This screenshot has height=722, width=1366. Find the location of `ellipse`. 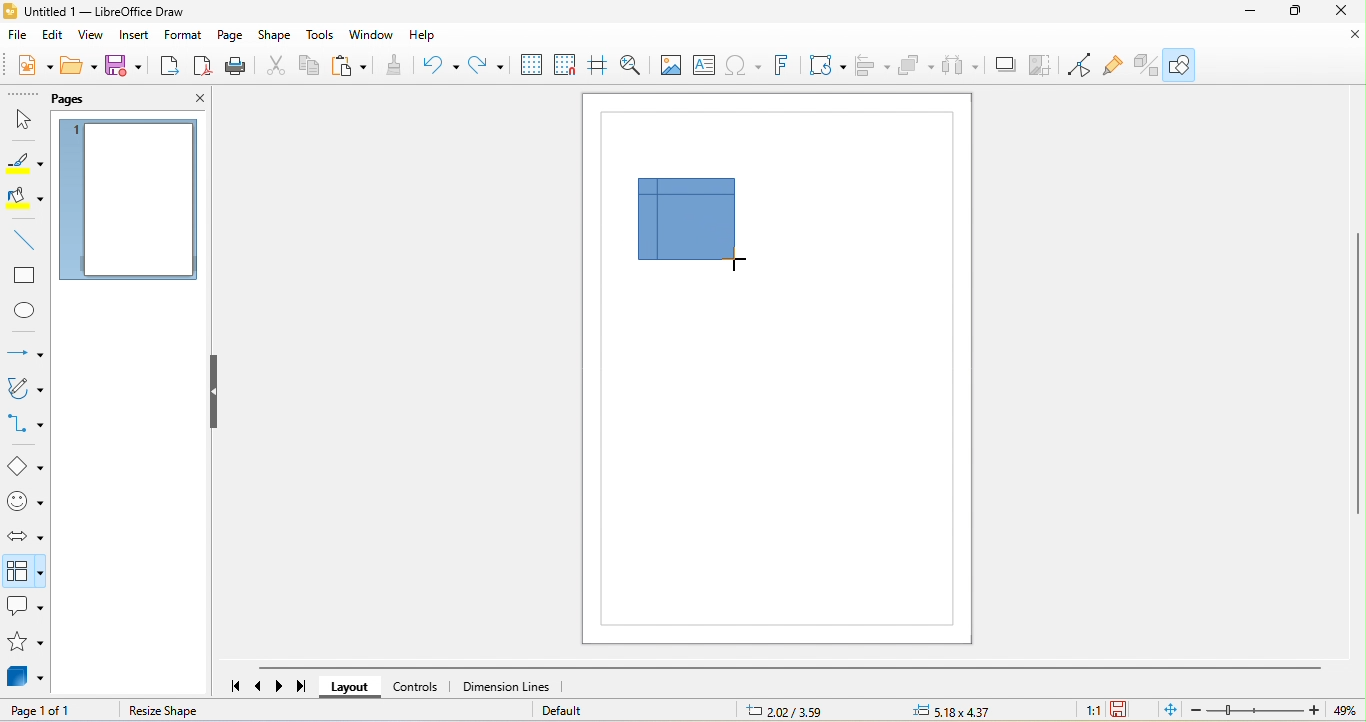

ellipse is located at coordinates (23, 310).